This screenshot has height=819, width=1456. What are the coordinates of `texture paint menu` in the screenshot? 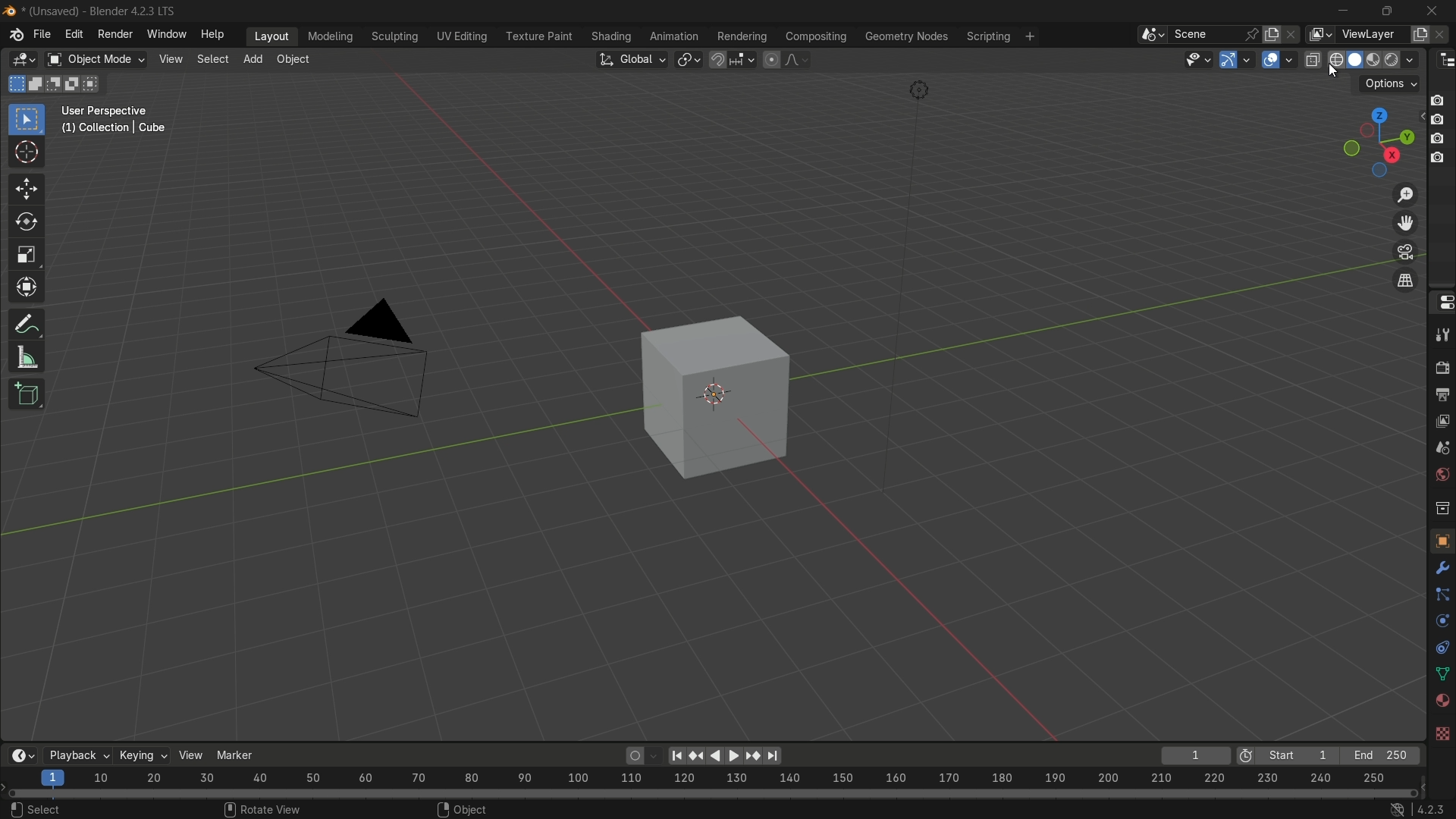 It's located at (538, 37).